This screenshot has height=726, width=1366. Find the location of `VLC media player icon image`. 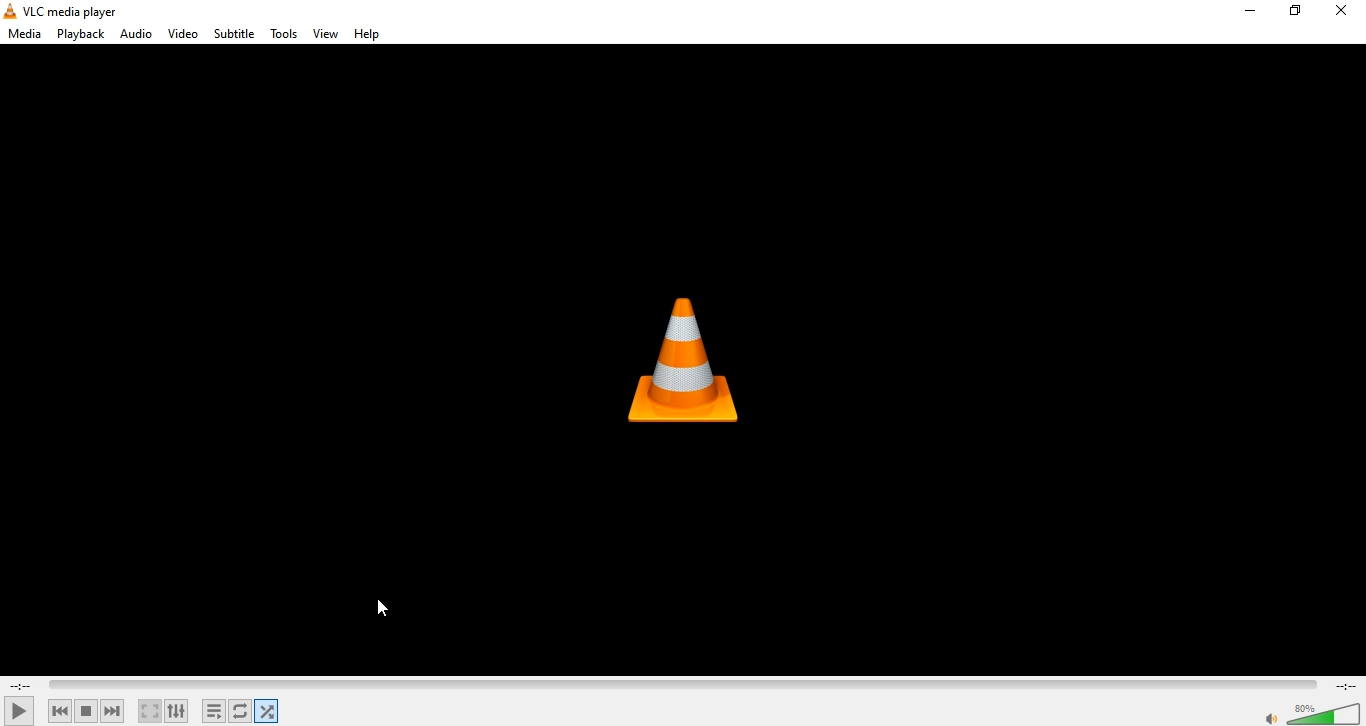

VLC media player icon image is located at coordinates (692, 359).